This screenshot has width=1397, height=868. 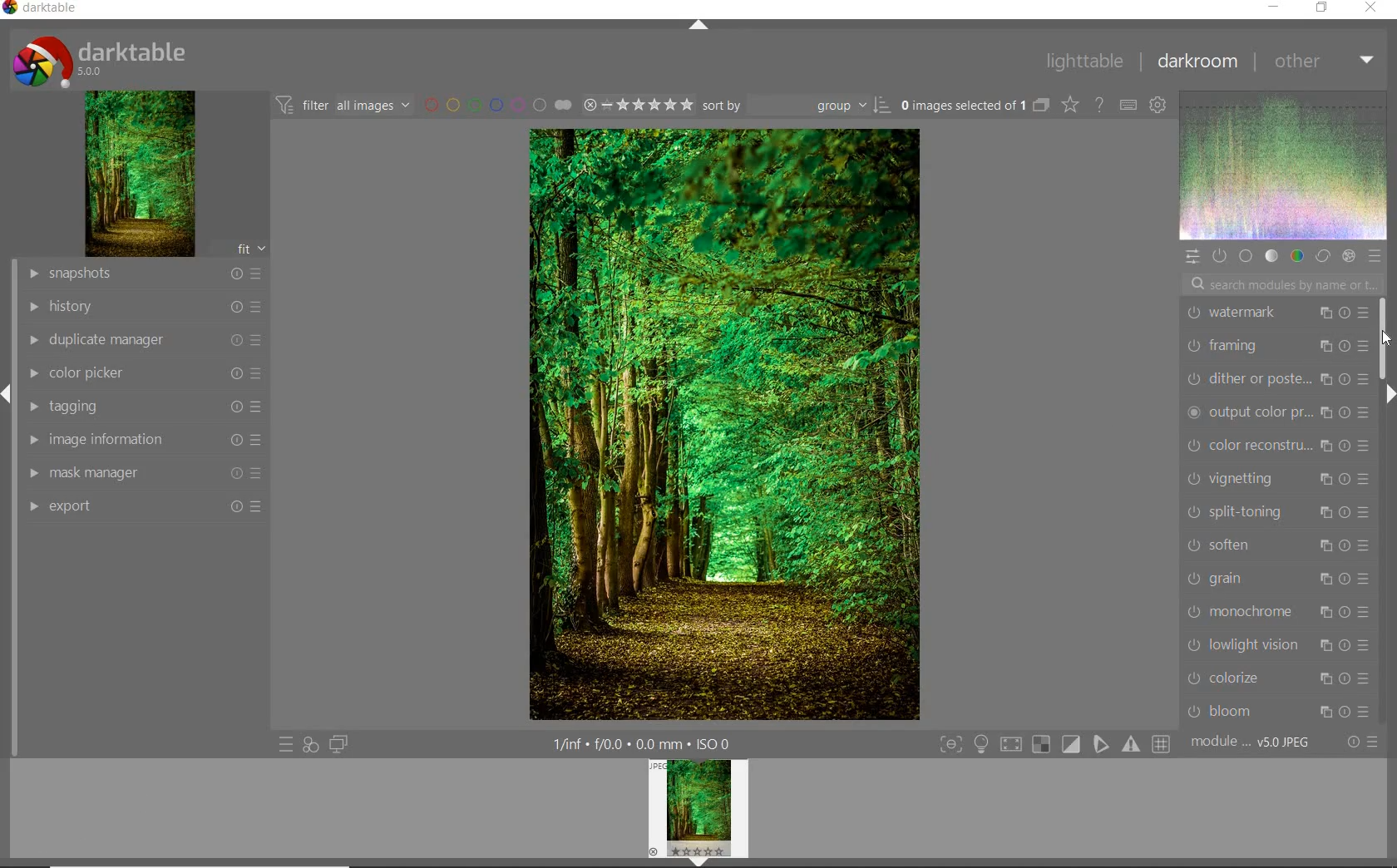 I want to click on SNAPSHOT, so click(x=144, y=273).